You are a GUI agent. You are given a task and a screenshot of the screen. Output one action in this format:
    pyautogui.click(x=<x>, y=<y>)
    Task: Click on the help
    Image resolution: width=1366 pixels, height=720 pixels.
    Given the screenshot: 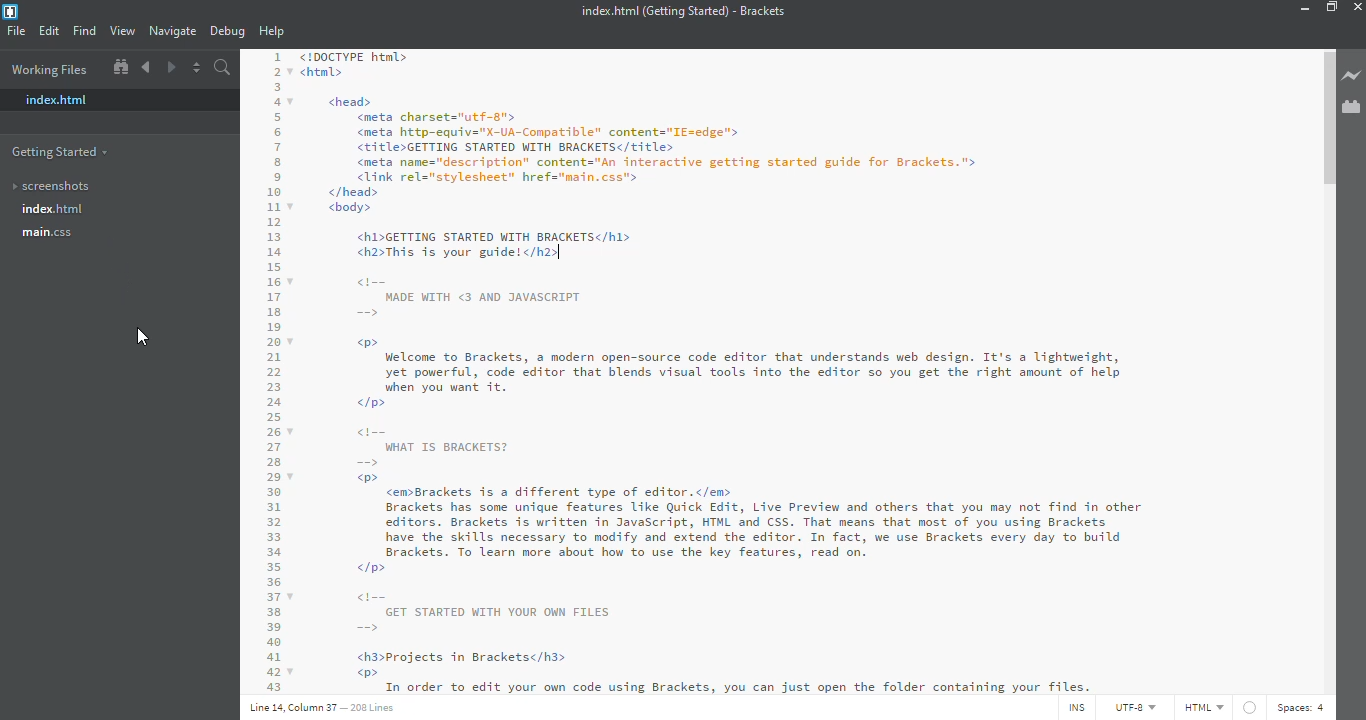 What is the action you would take?
    pyautogui.click(x=272, y=31)
    